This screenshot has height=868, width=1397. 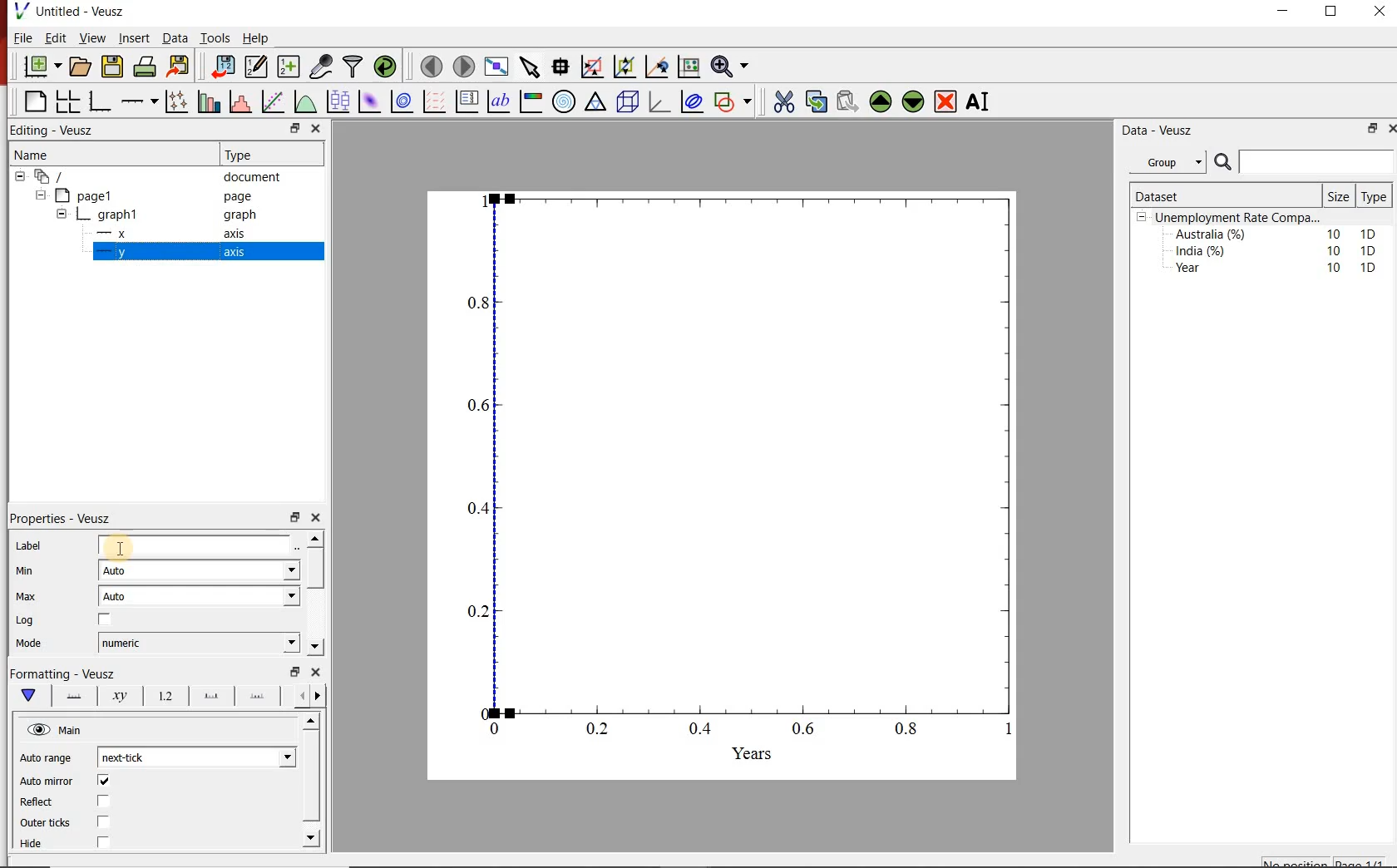 I want to click on move the widgets up, so click(x=881, y=101).